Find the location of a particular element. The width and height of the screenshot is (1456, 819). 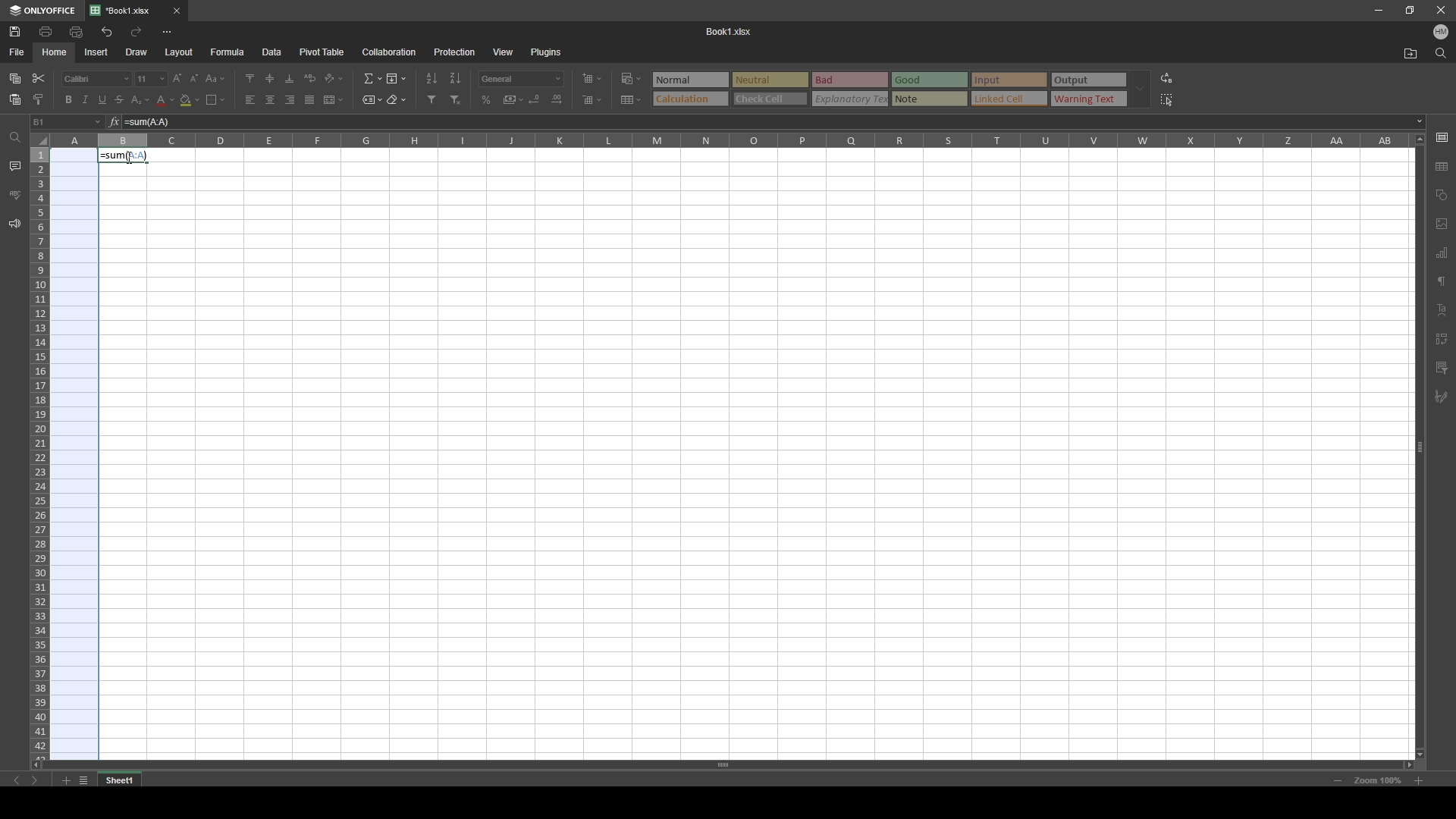

tab 1 is located at coordinates (126, 11).